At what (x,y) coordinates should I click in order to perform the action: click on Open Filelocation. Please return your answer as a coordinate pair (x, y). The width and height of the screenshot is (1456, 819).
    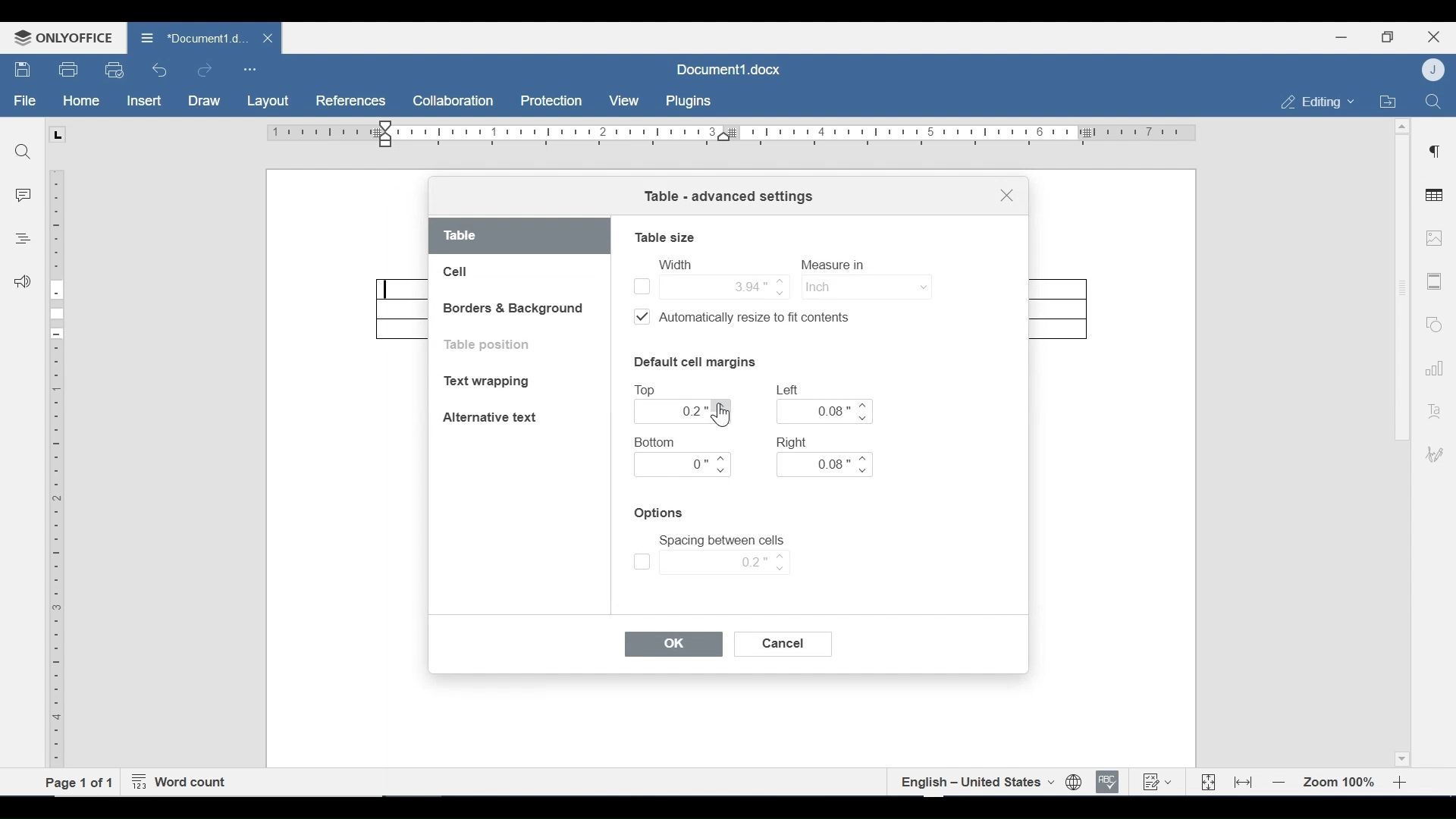
    Looking at the image, I should click on (1387, 100).